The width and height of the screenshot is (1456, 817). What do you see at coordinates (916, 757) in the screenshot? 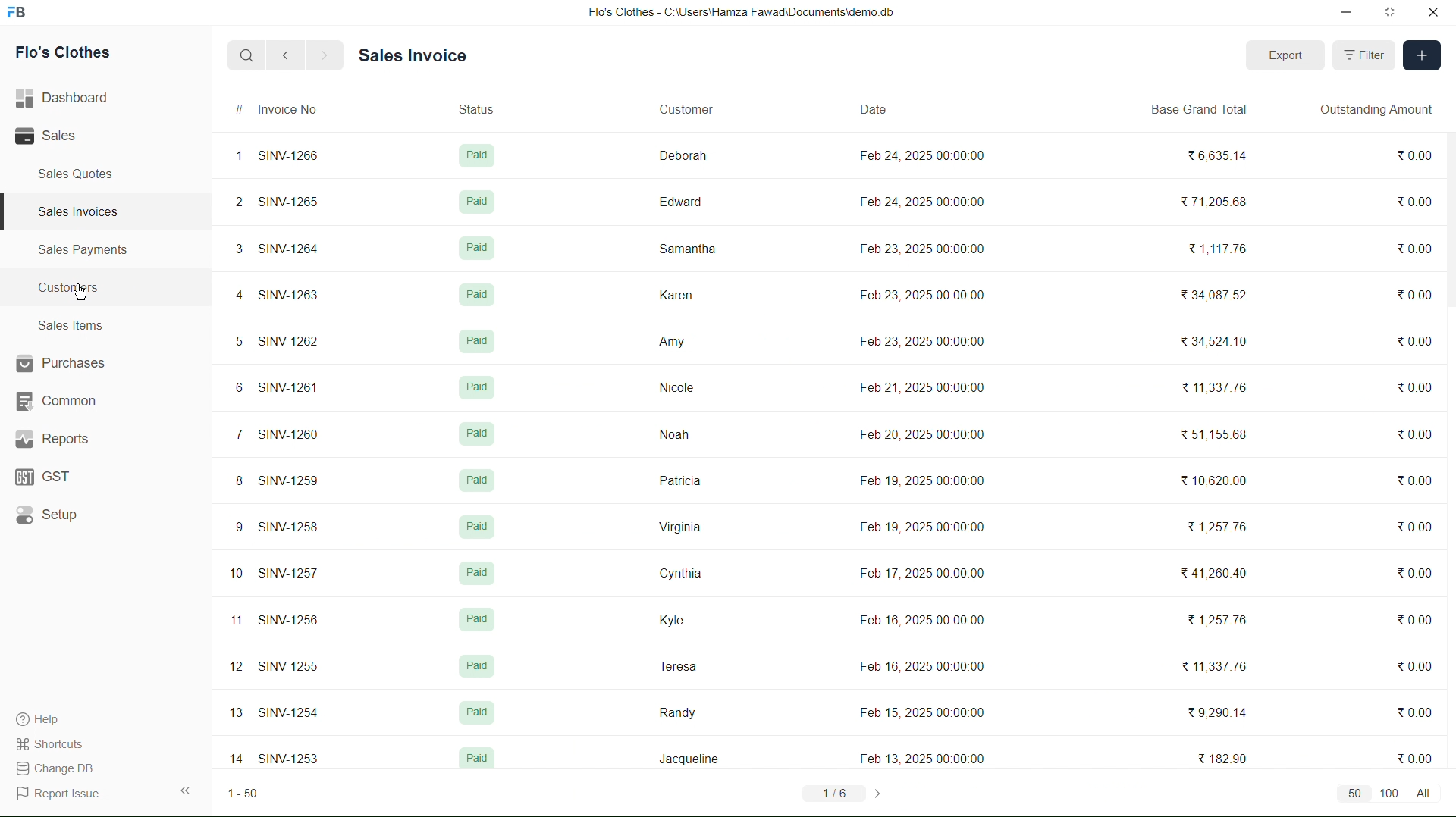
I see `Feb 13, 2025 00:00:00` at bounding box center [916, 757].